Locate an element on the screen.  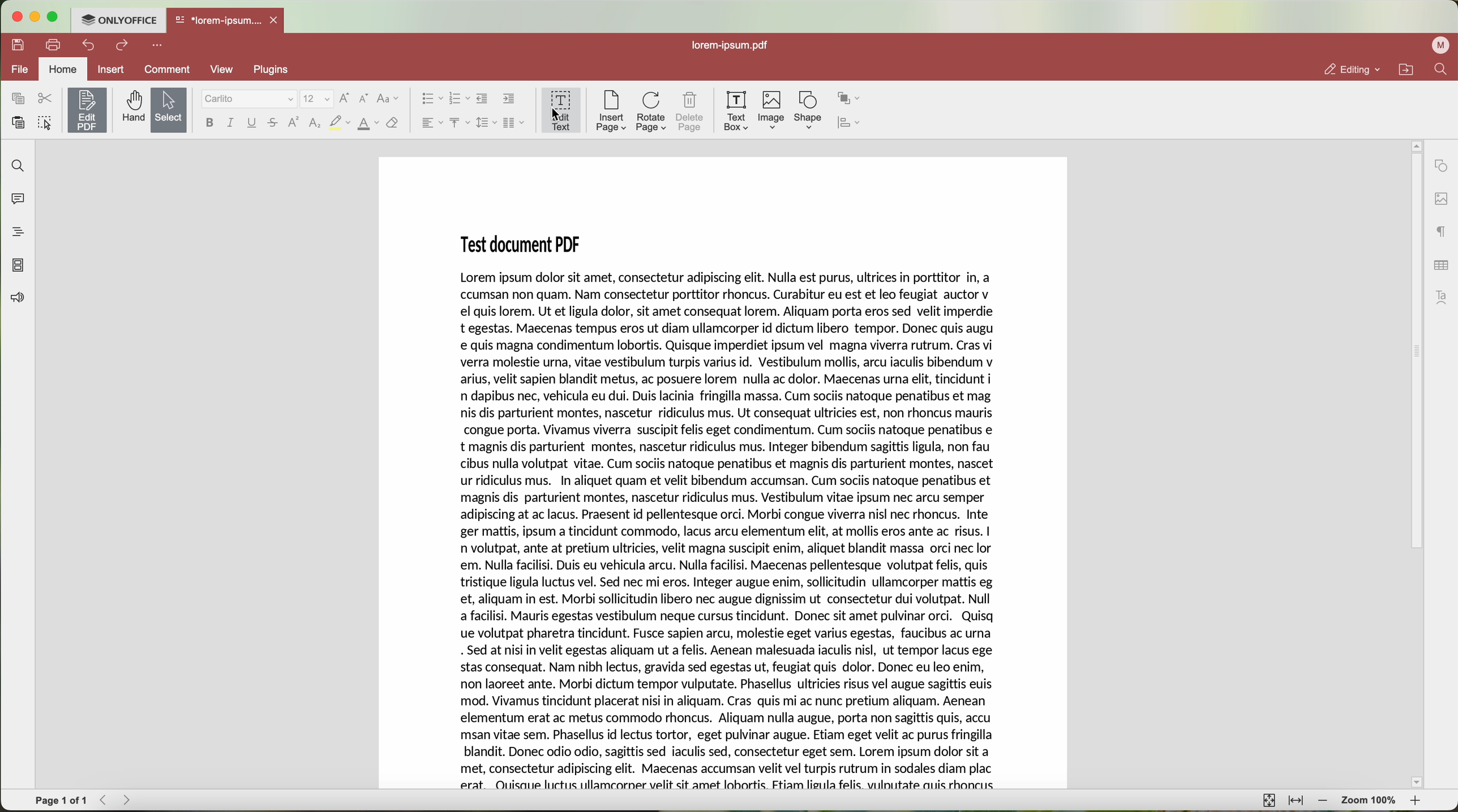
zoom out is located at coordinates (1321, 801).